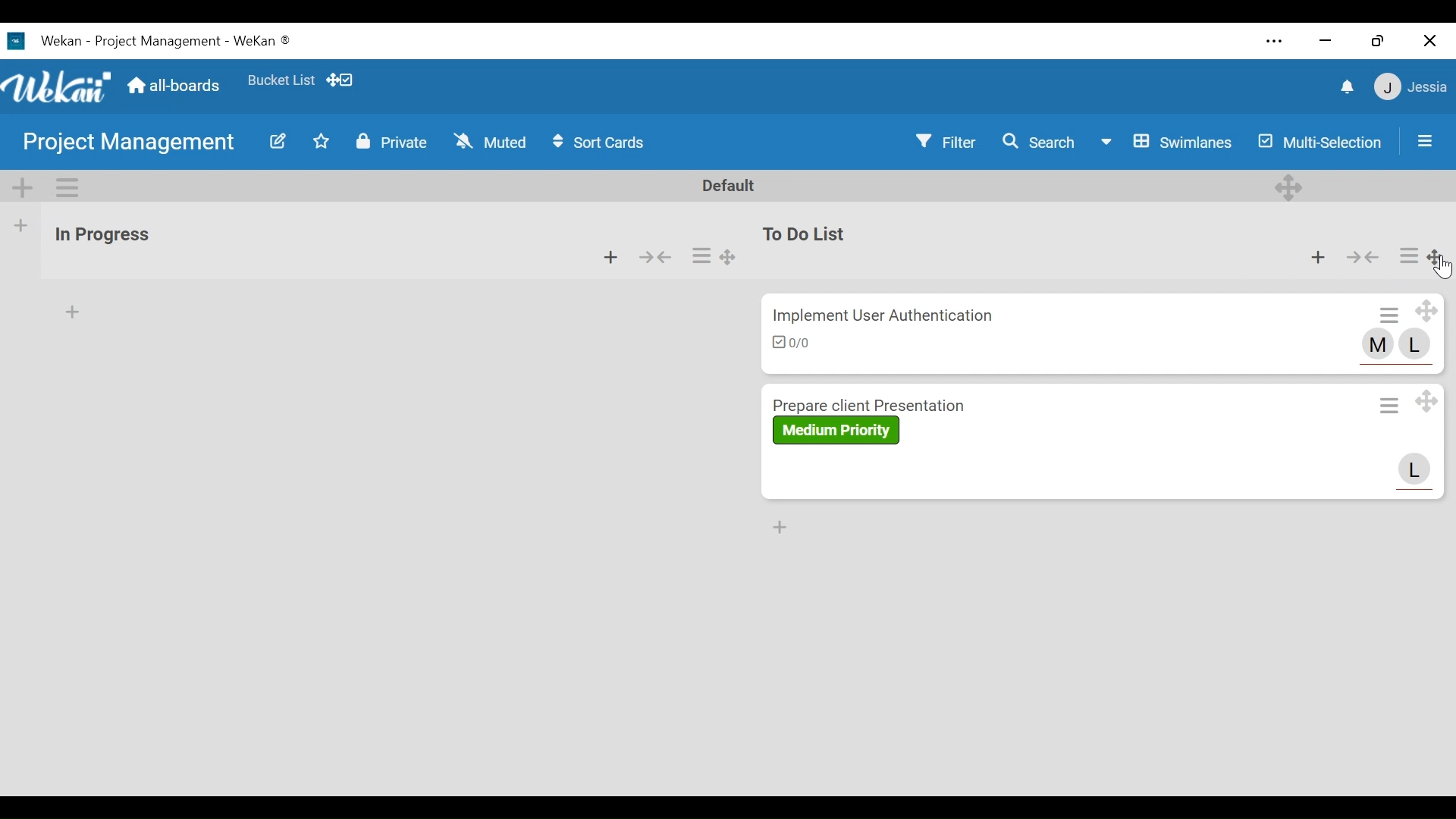 Image resolution: width=1456 pixels, height=819 pixels. I want to click on Sort Cards, so click(598, 143).